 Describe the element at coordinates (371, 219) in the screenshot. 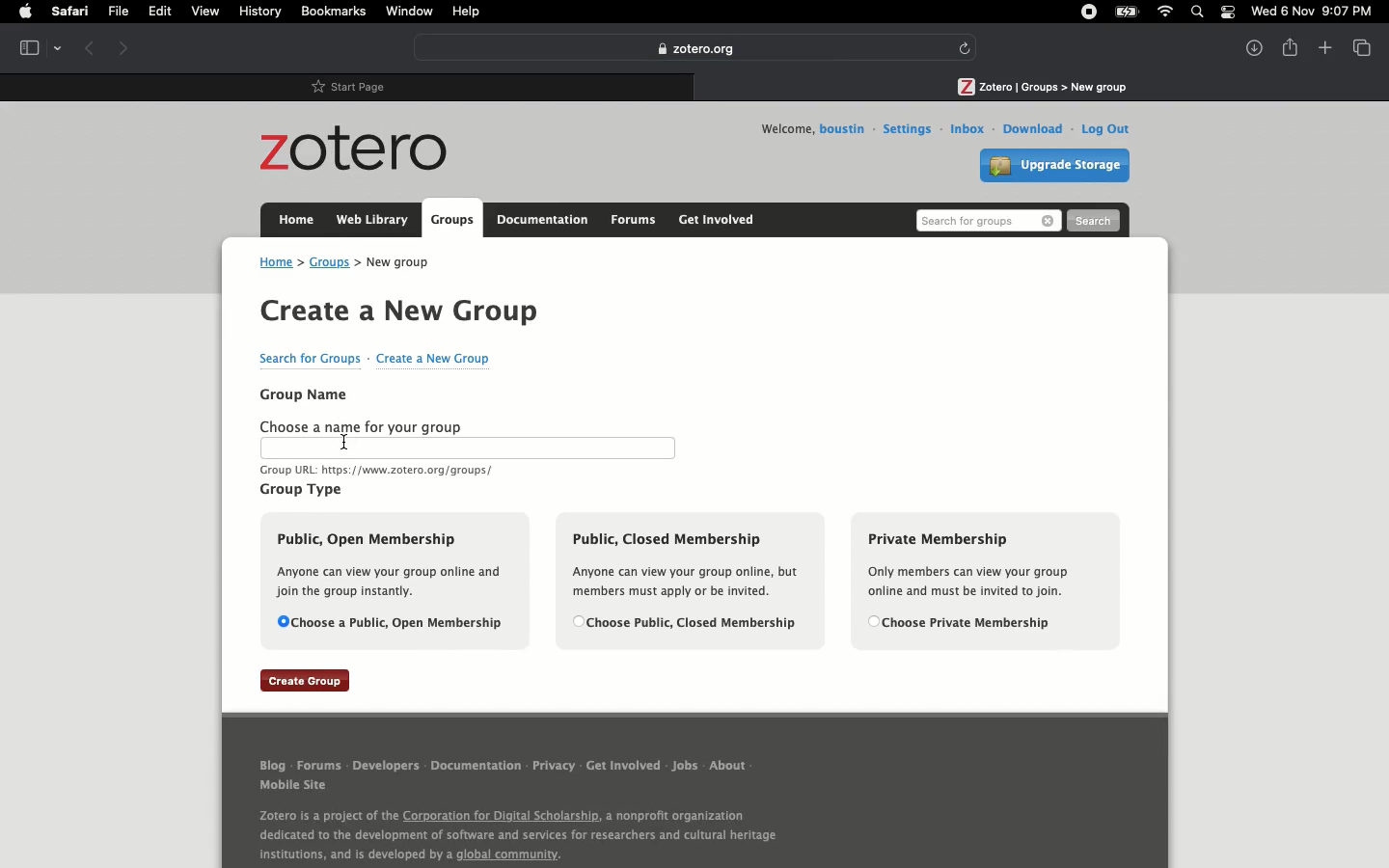

I see `Web library` at that location.